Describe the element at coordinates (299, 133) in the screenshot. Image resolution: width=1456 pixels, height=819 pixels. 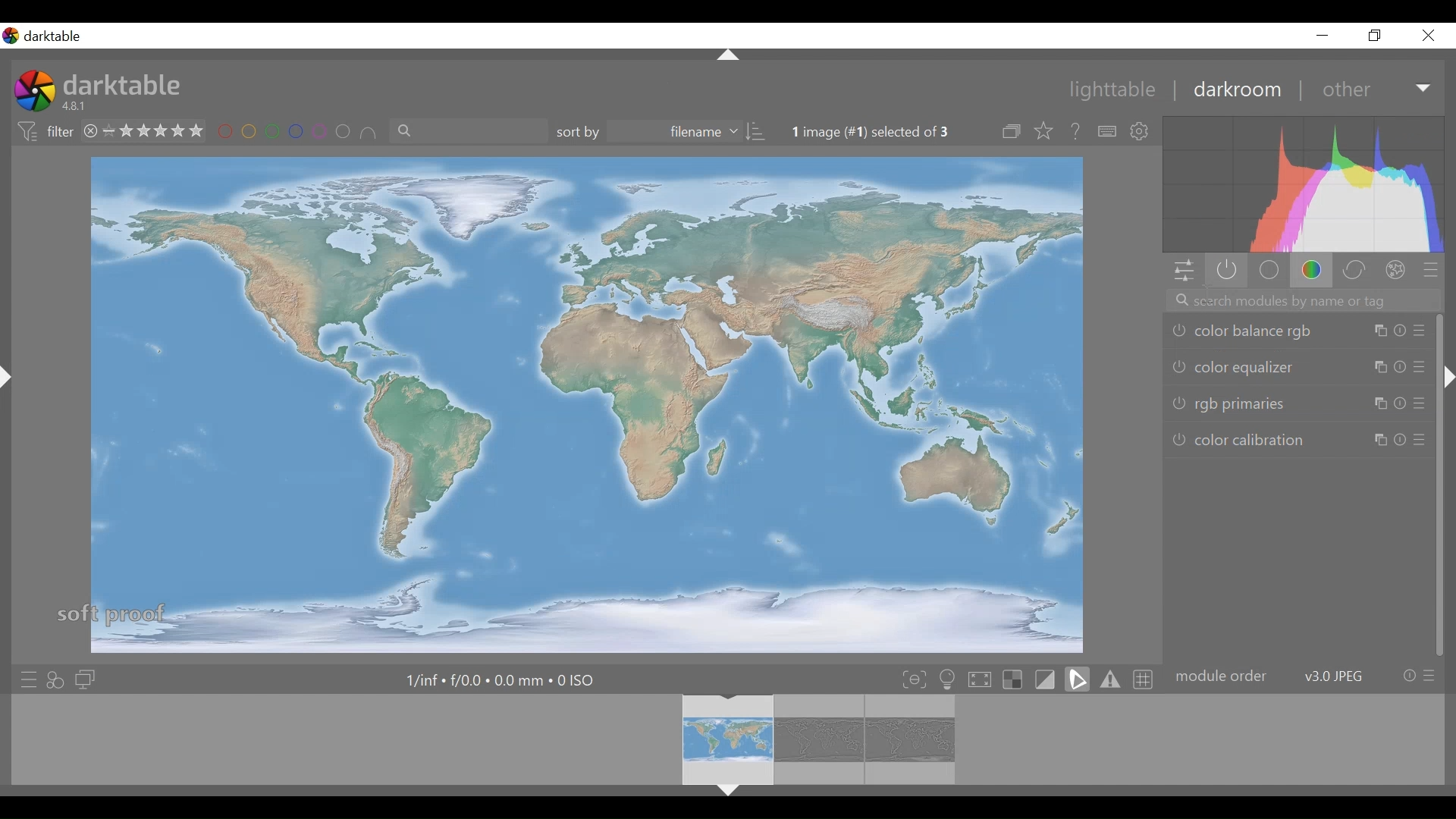
I see `filter by images color label` at that location.